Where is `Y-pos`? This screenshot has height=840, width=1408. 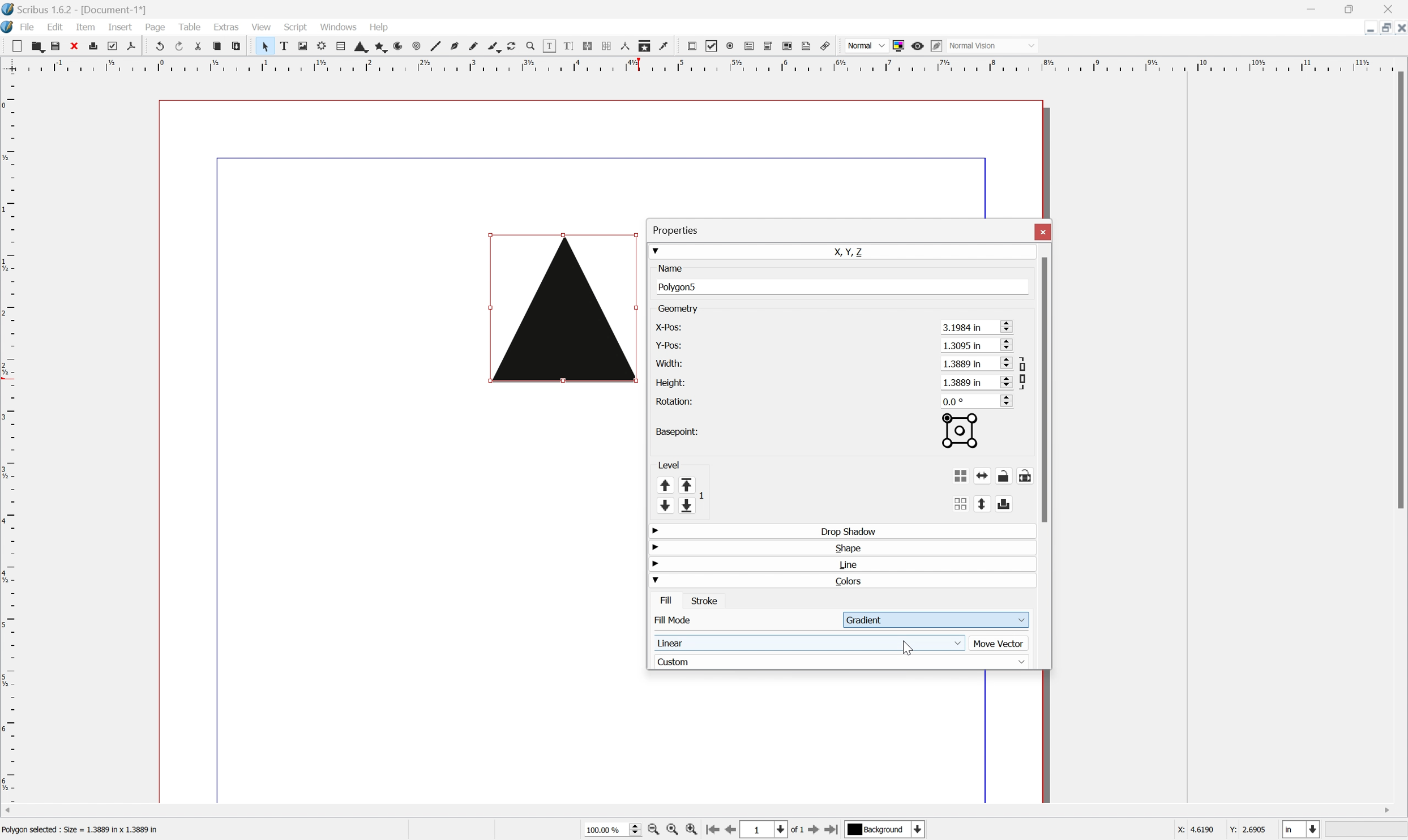
Y-pos is located at coordinates (667, 344).